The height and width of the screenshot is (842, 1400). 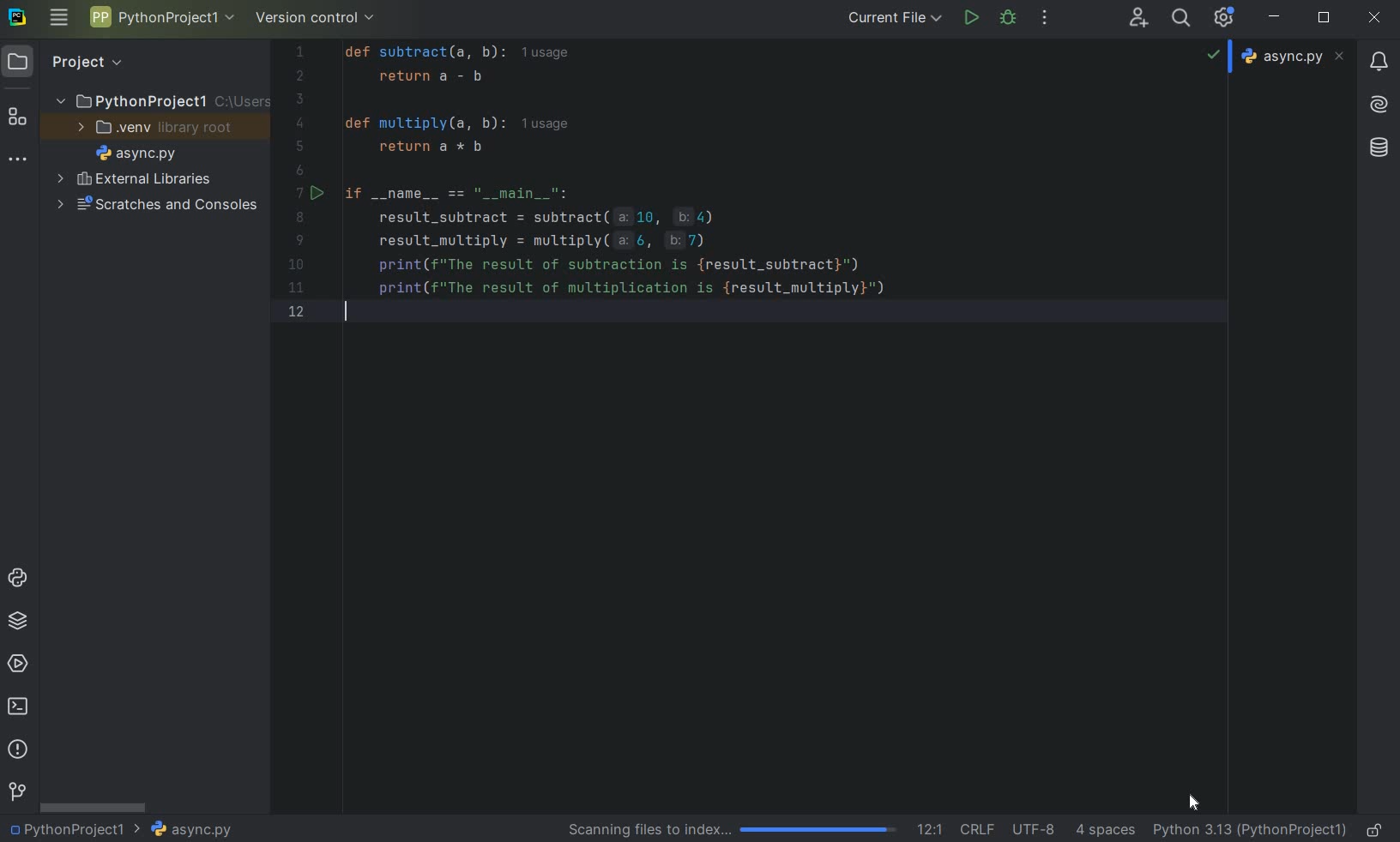 What do you see at coordinates (190, 829) in the screenshot?
I see `file name` at bounding box center [190, 829].